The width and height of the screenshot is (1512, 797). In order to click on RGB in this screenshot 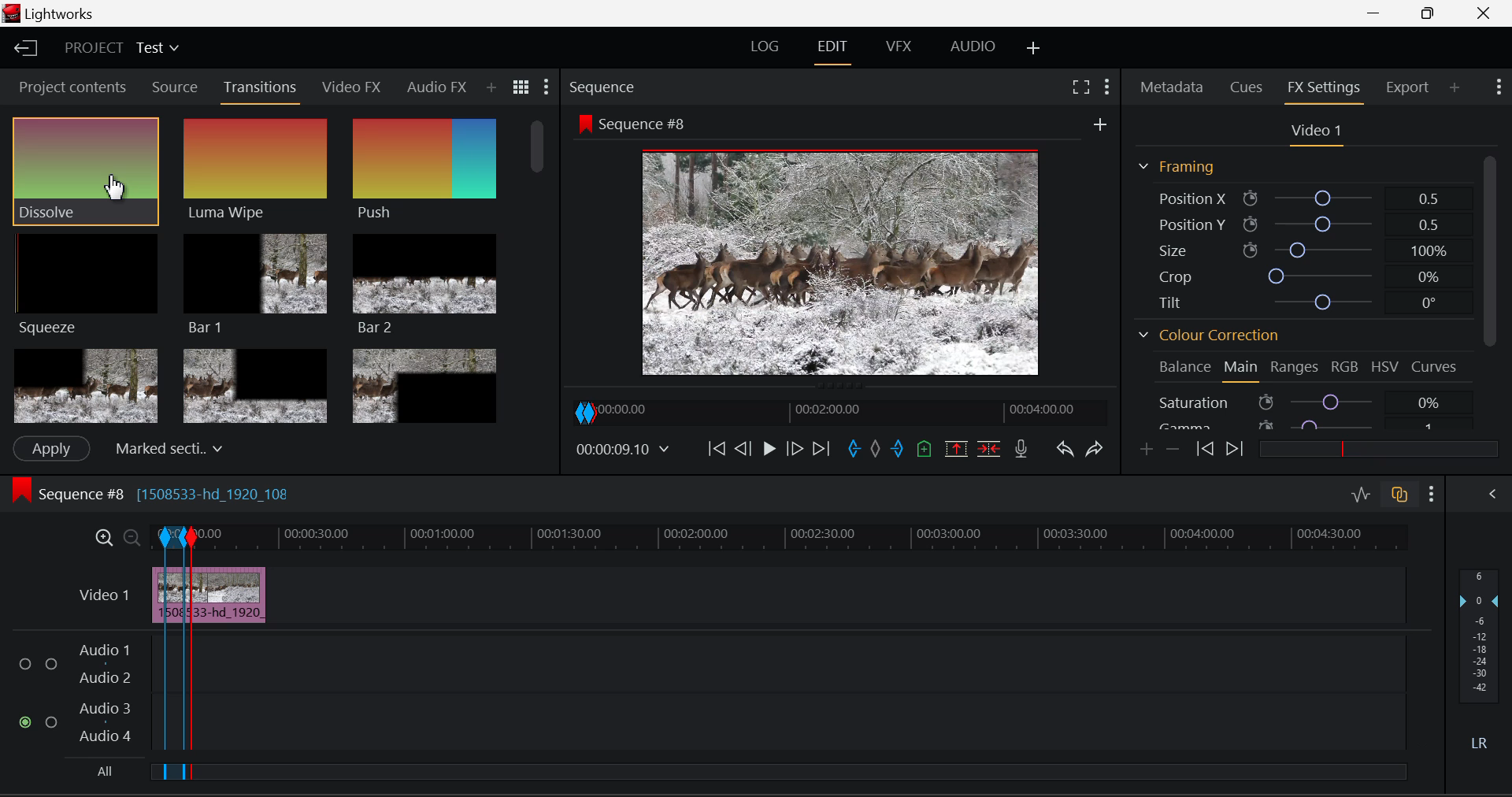, I will do `click(1342, 369)`.